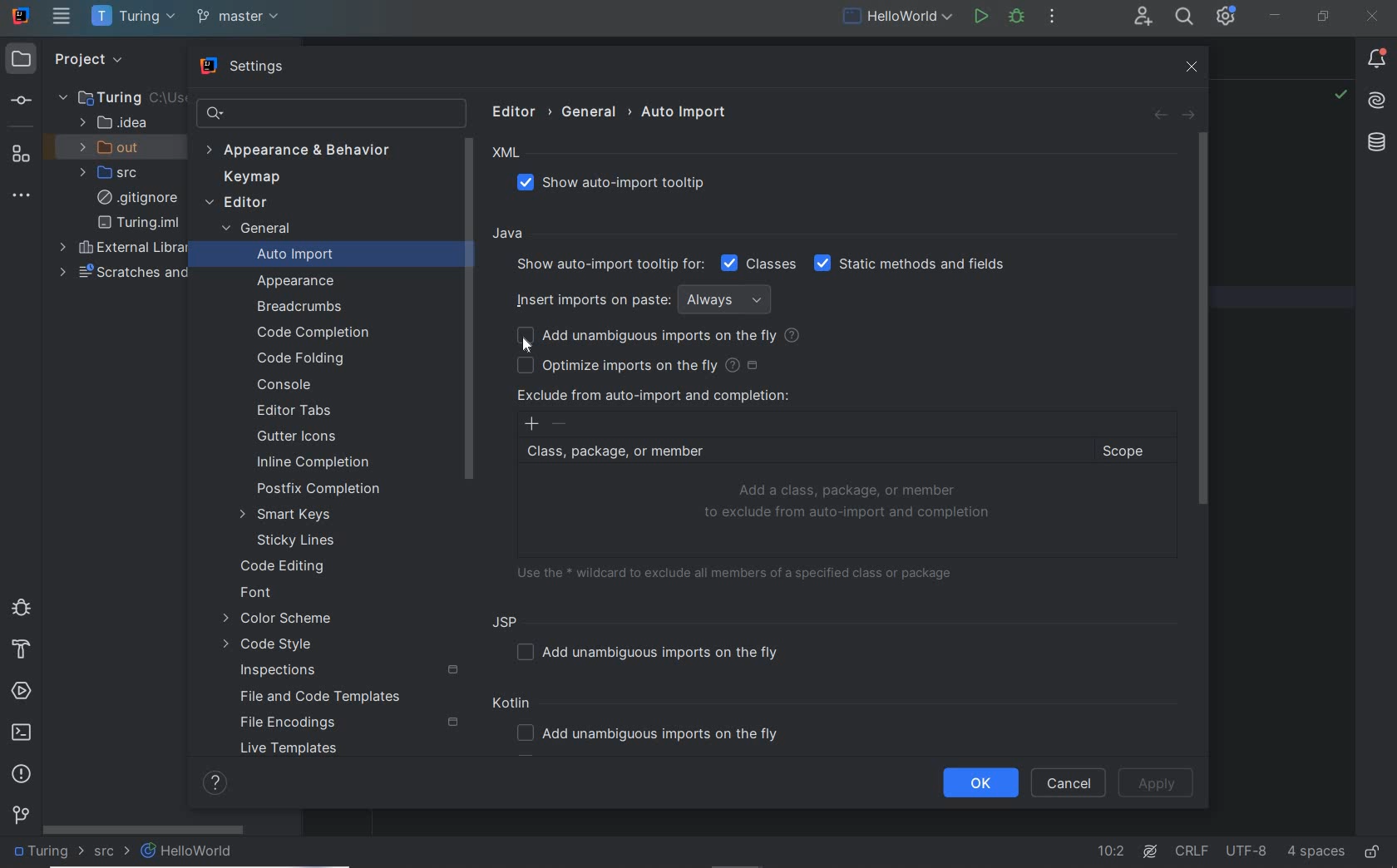  Describe the element at coordinates (350, 671) in the screenshot. I see `INSPECTIONS` at that location.